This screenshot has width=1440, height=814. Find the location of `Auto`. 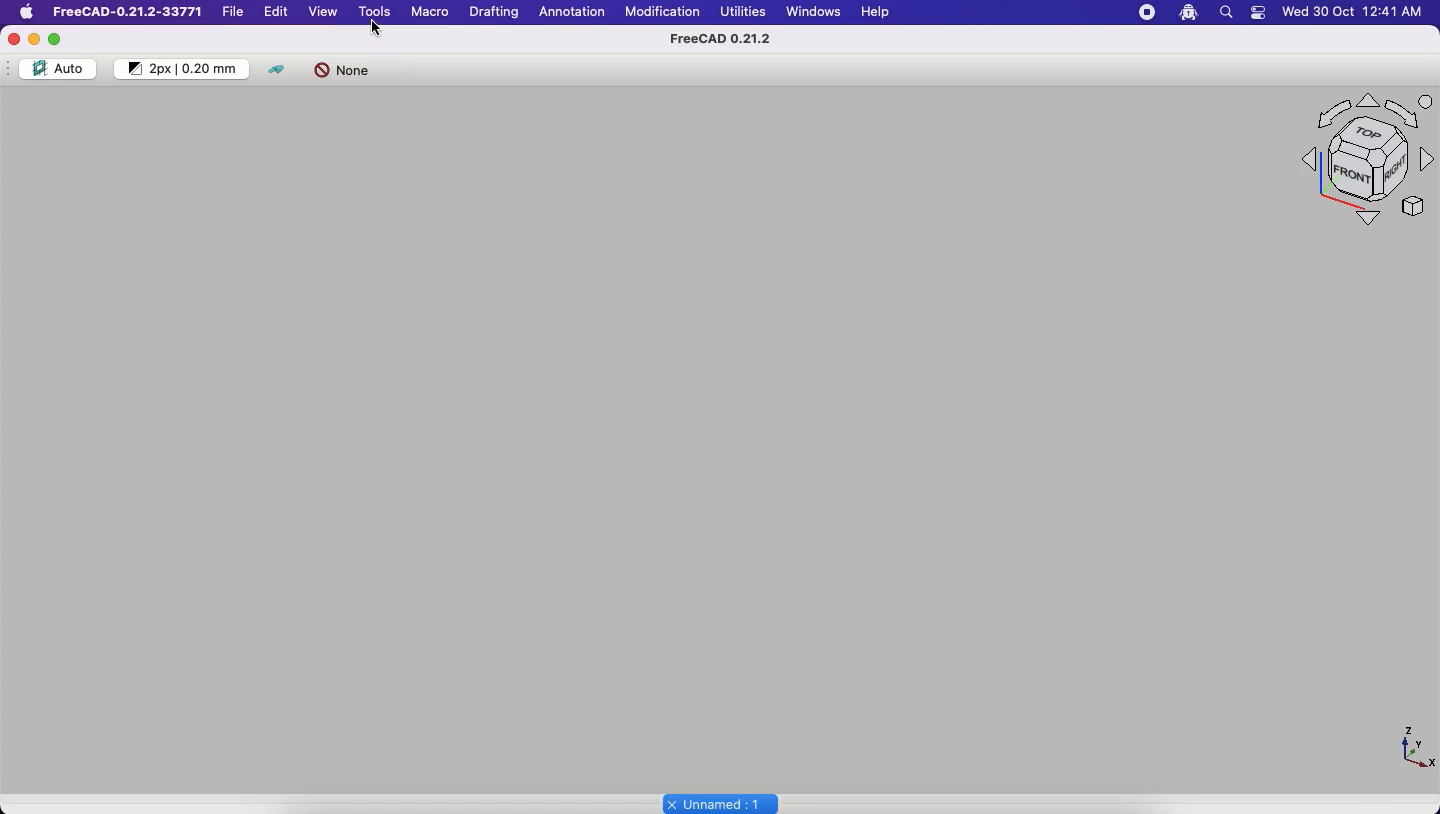

Auto is located at coordinates (58, 67).